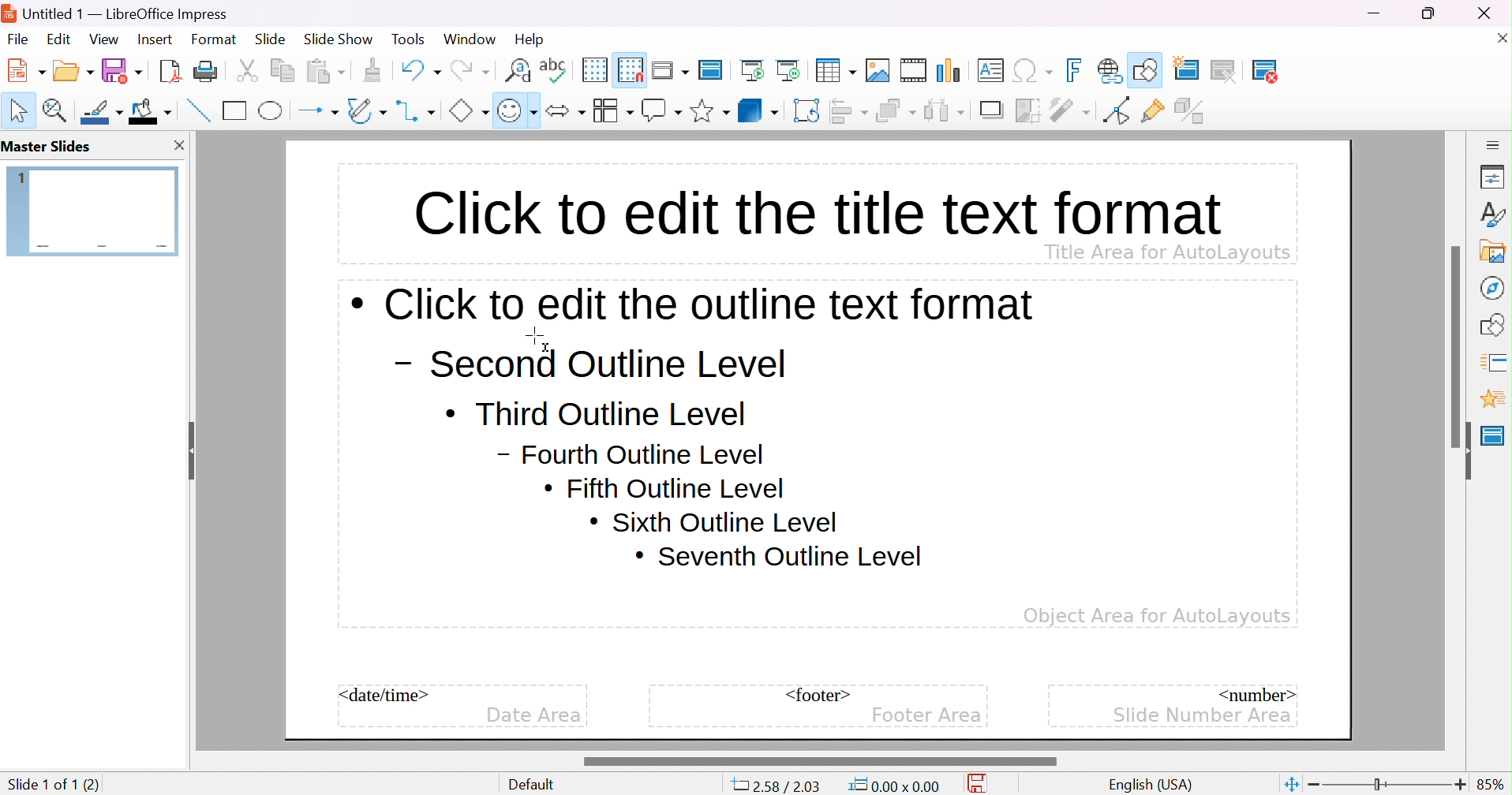 Image resolution: width=1512 pixels, height=795 pixels. What do you see at coordinates (593, 69) in the screenshot?
I see `display grid` at bounding box center [593, 69].